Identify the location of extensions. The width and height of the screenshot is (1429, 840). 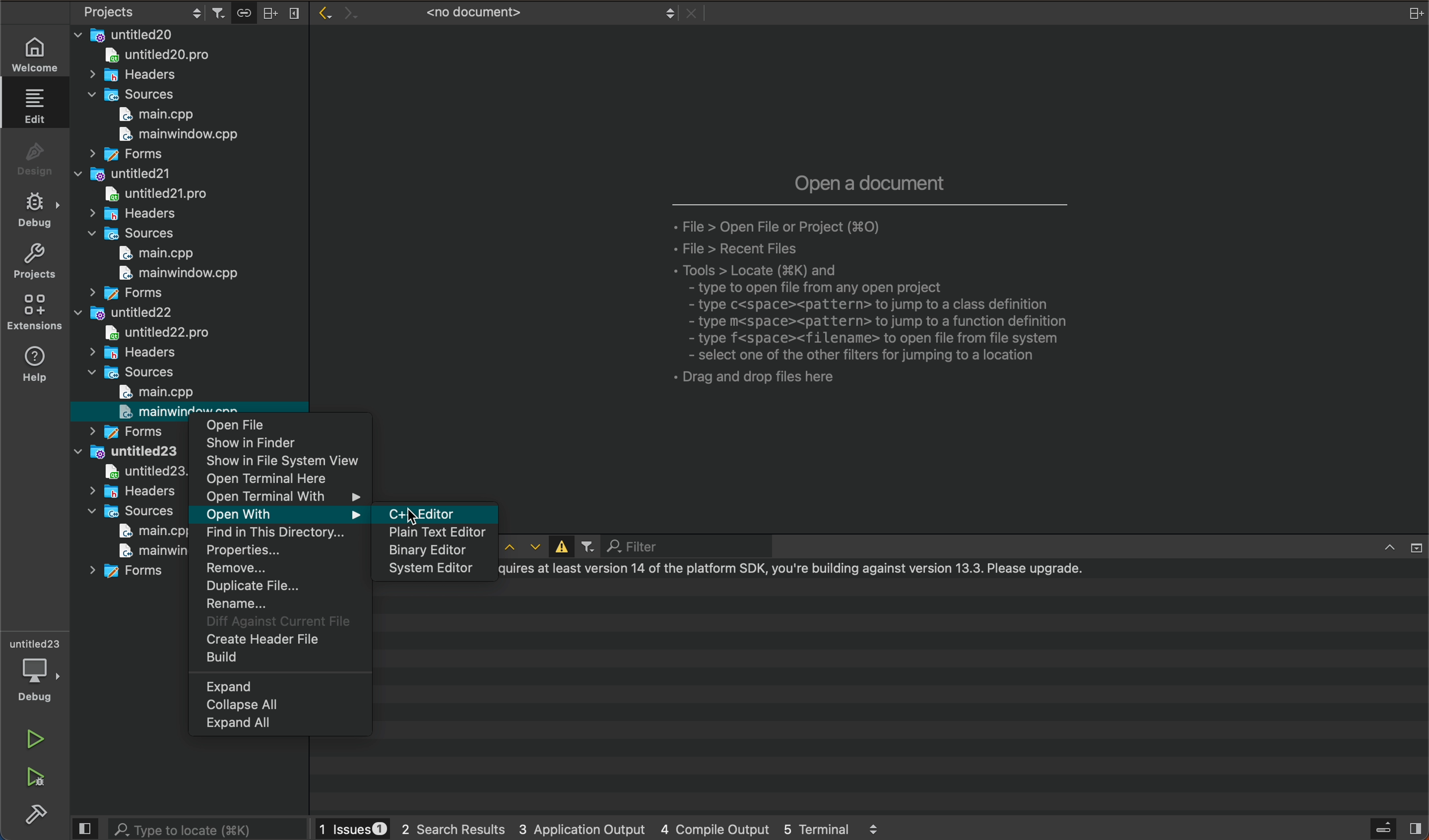
(35, 313).